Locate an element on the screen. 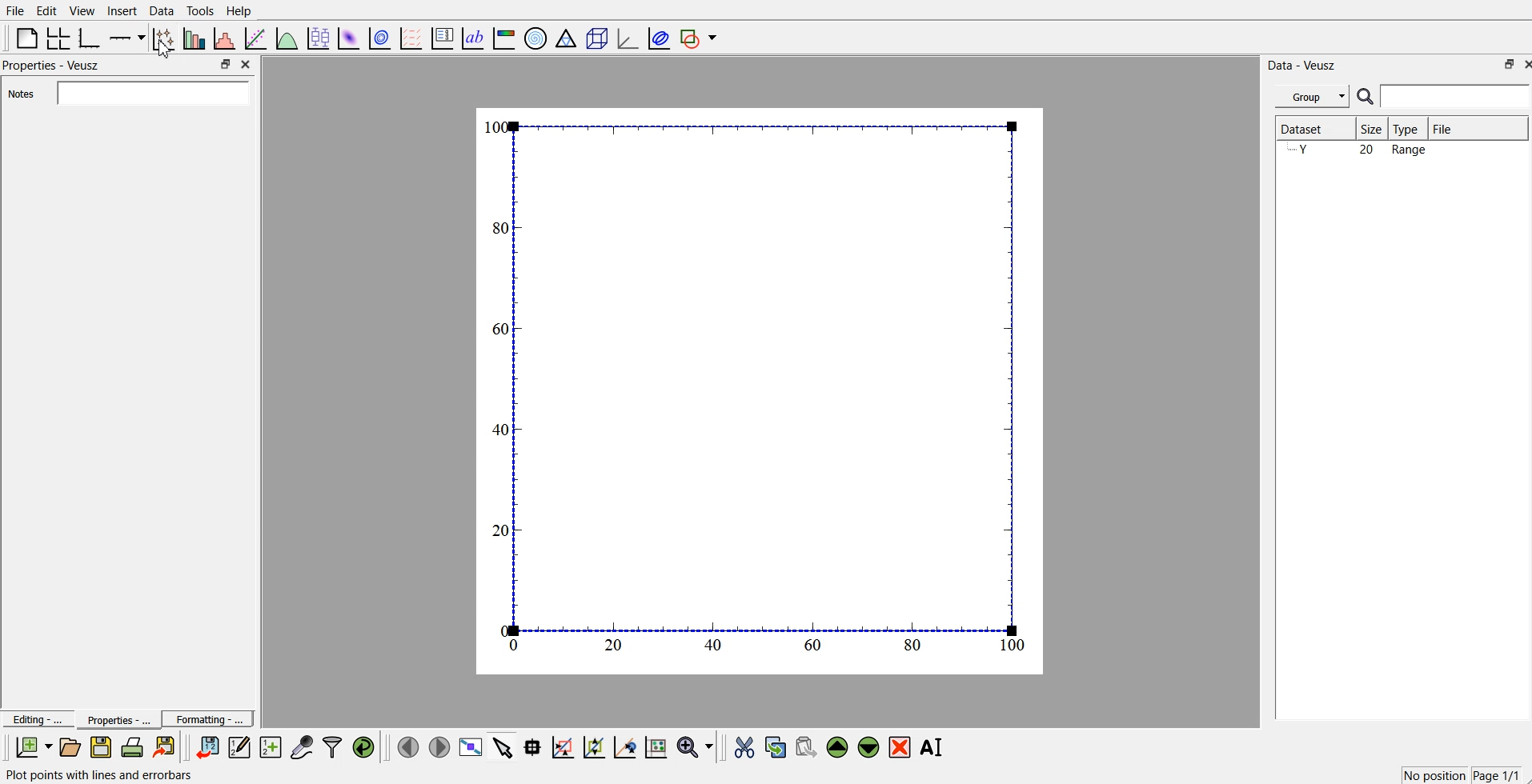 The image size is (1532, 784). Cut is located at coordinates (744, 746).